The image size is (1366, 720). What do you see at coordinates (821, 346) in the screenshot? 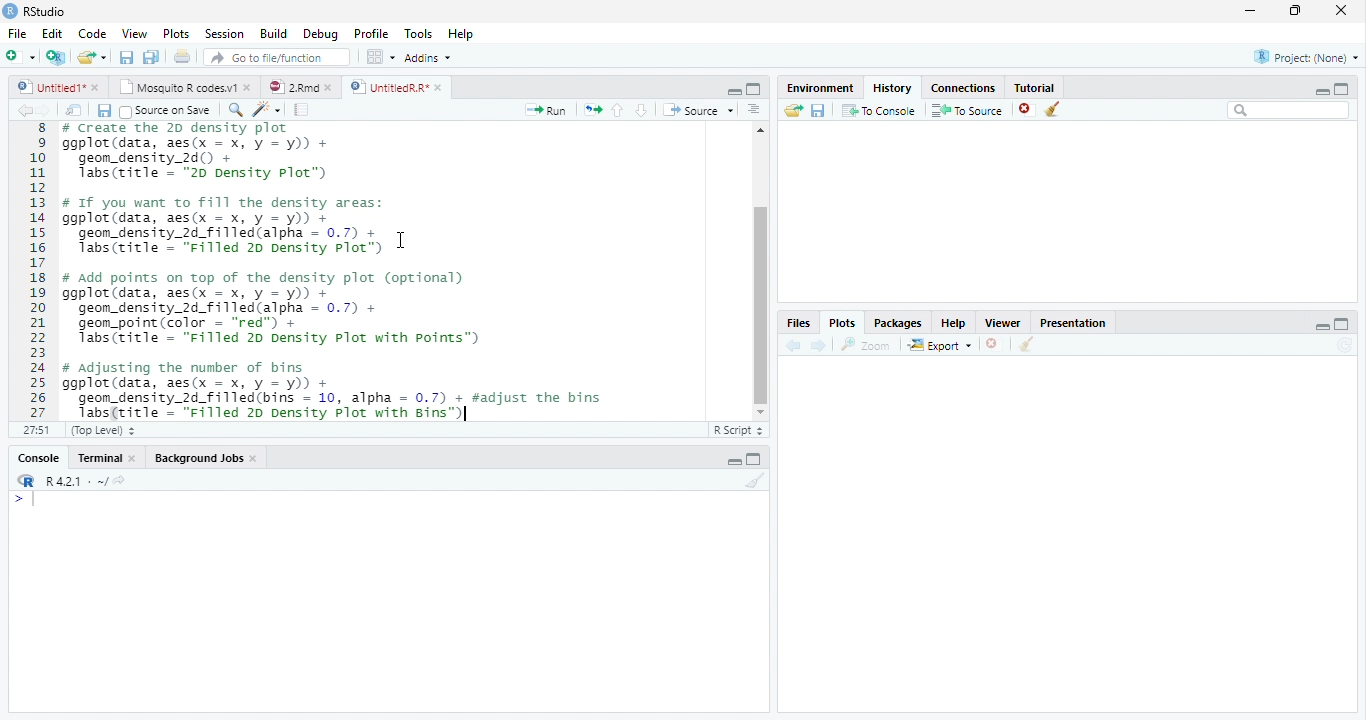
I see `next` at bounding box center [821, 346].